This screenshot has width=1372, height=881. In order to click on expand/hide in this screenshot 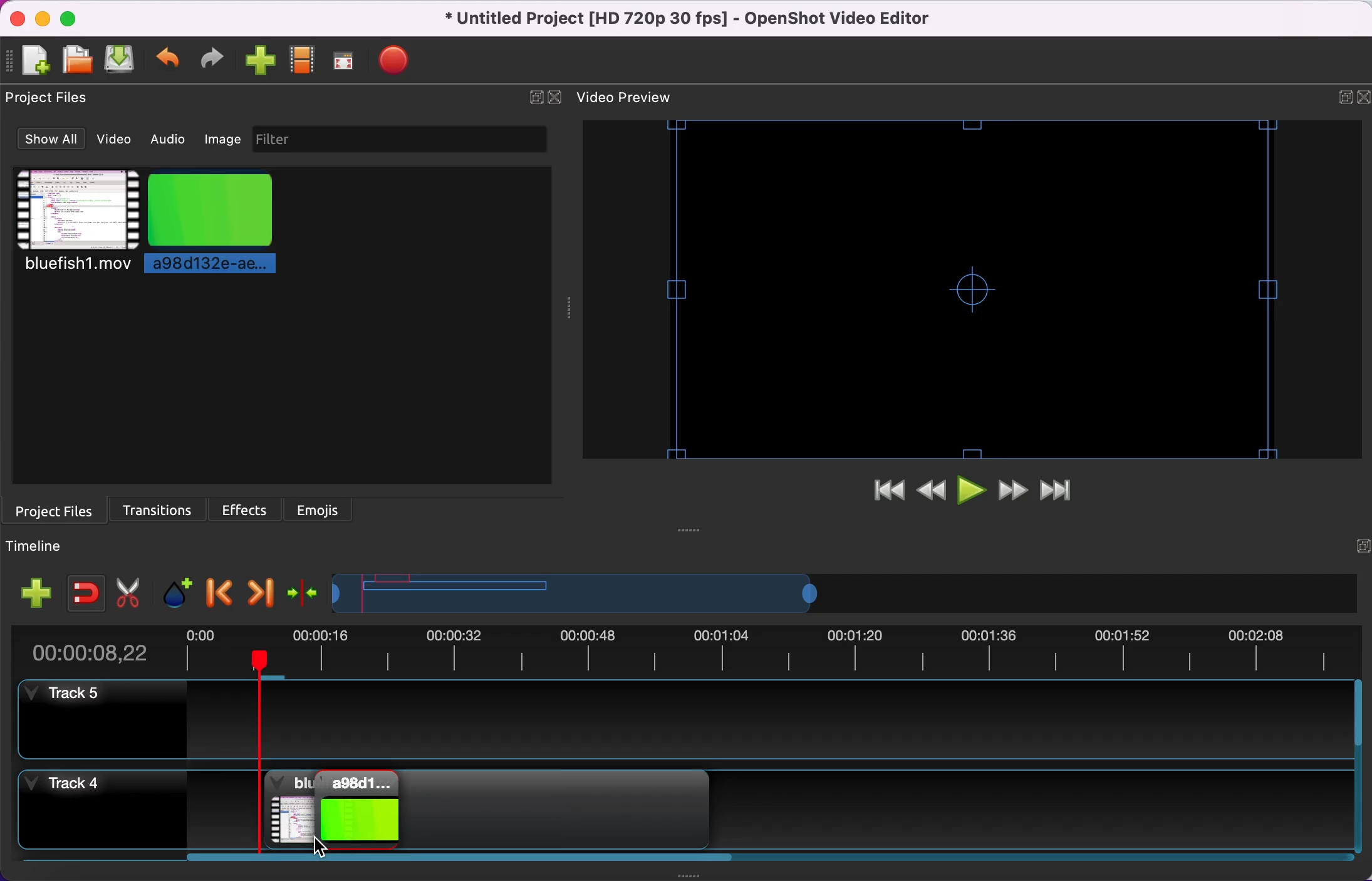, I will do `click(533, 98)`.